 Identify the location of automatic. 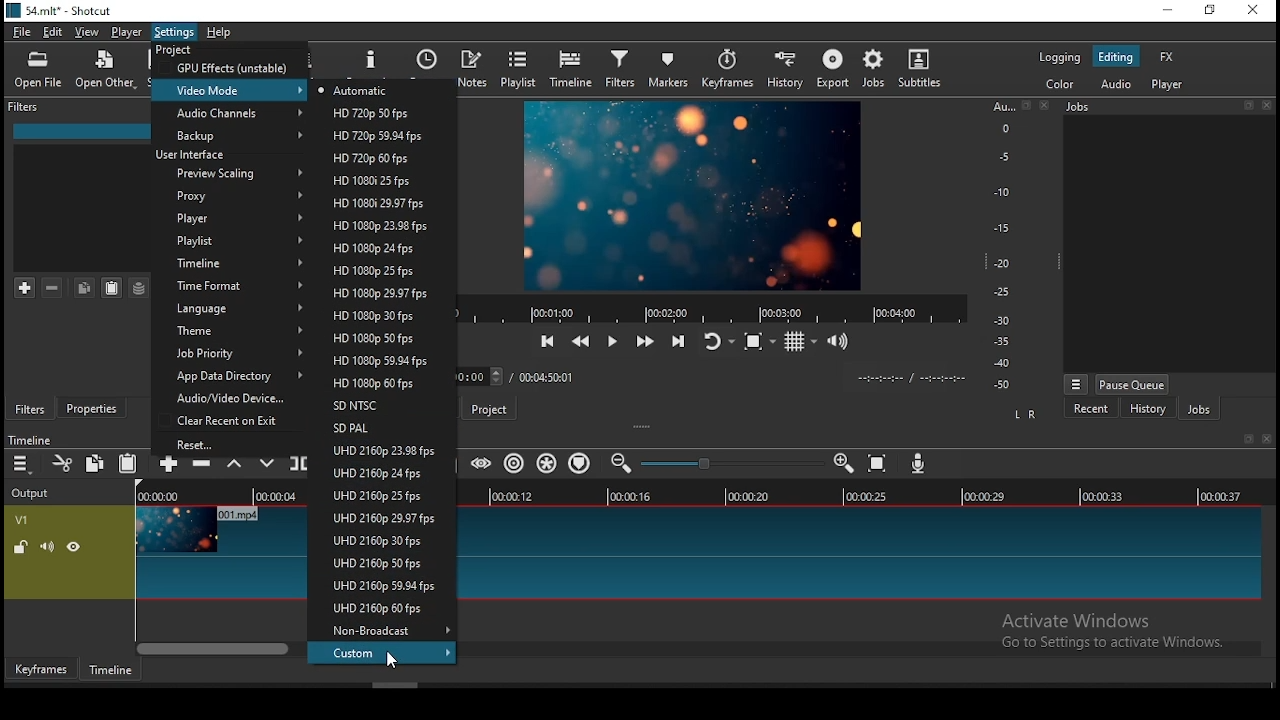
(355, 91).